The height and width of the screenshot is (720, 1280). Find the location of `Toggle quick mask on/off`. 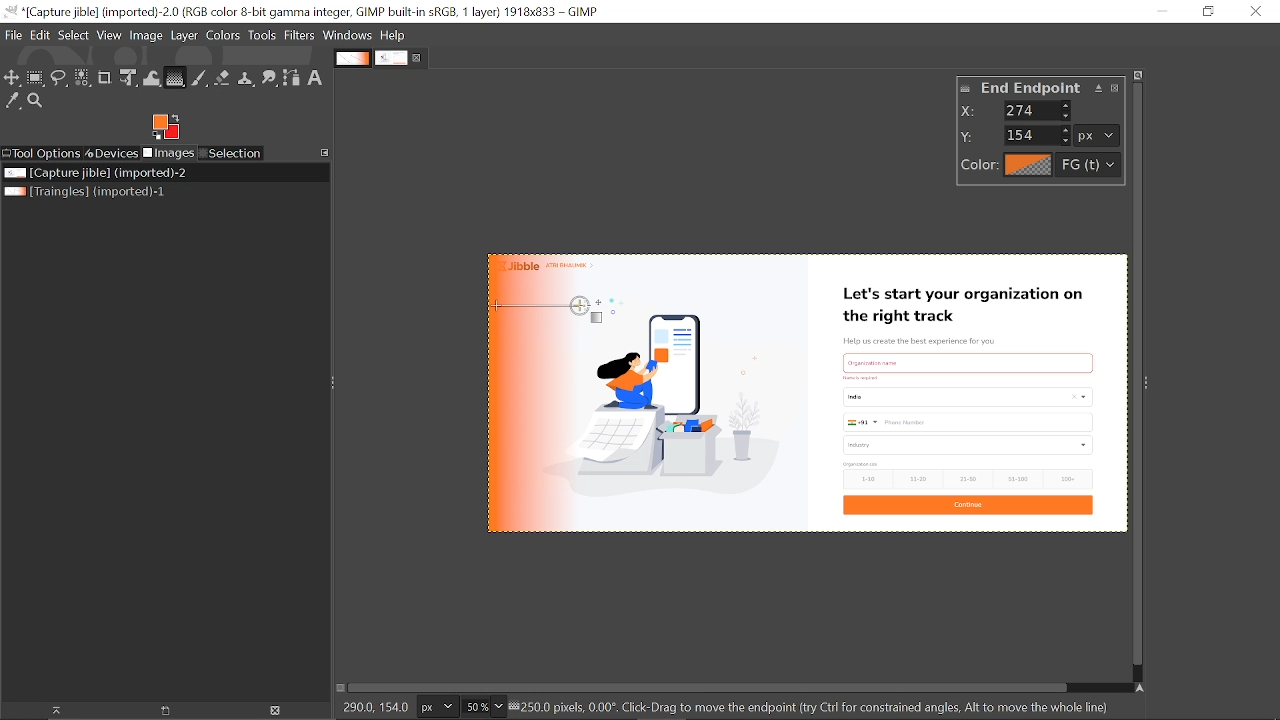

Toggle quick mask on/off is located at coordinates (341, 689).